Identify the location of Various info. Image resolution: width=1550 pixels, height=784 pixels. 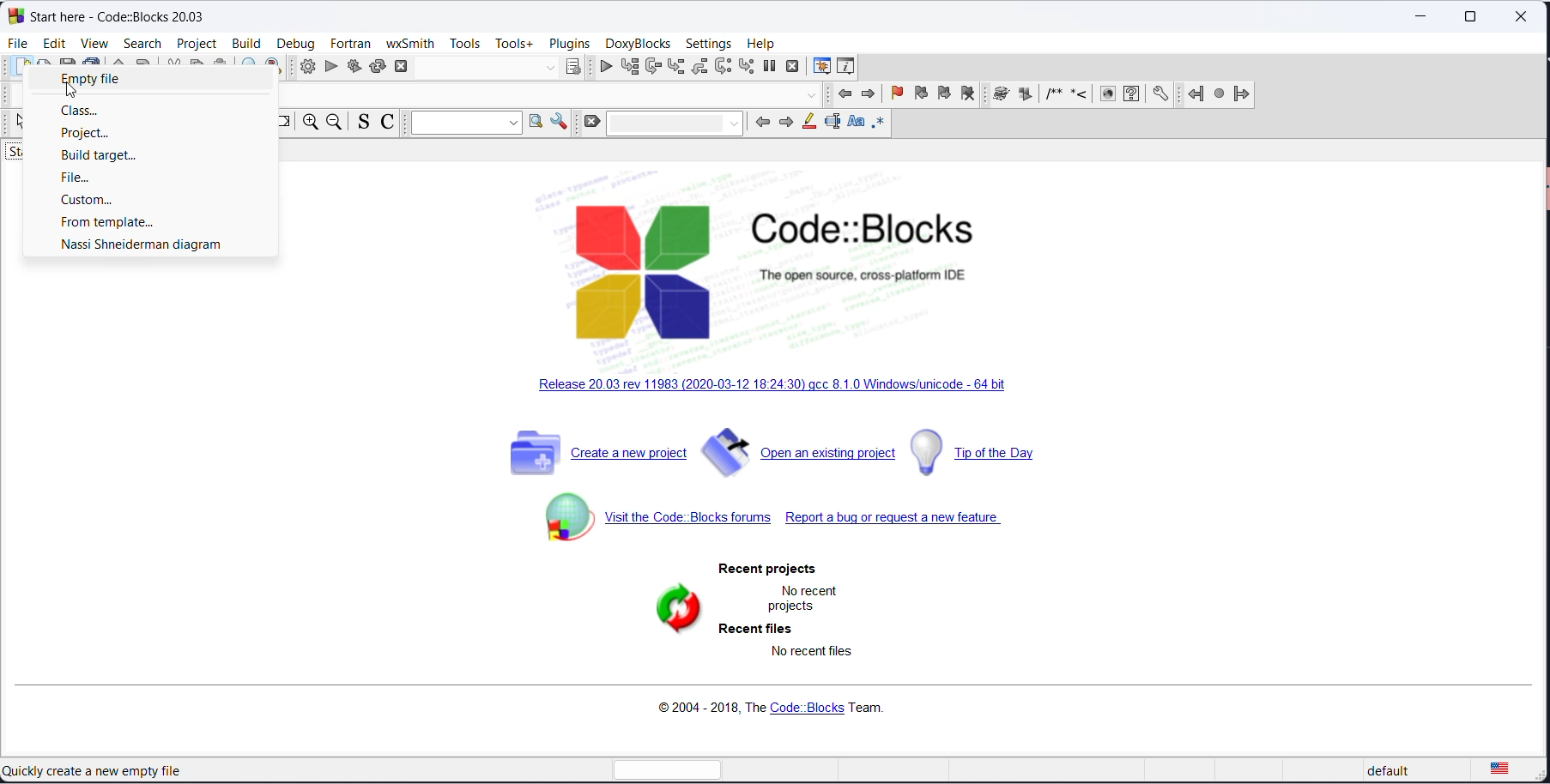
(851, 67).